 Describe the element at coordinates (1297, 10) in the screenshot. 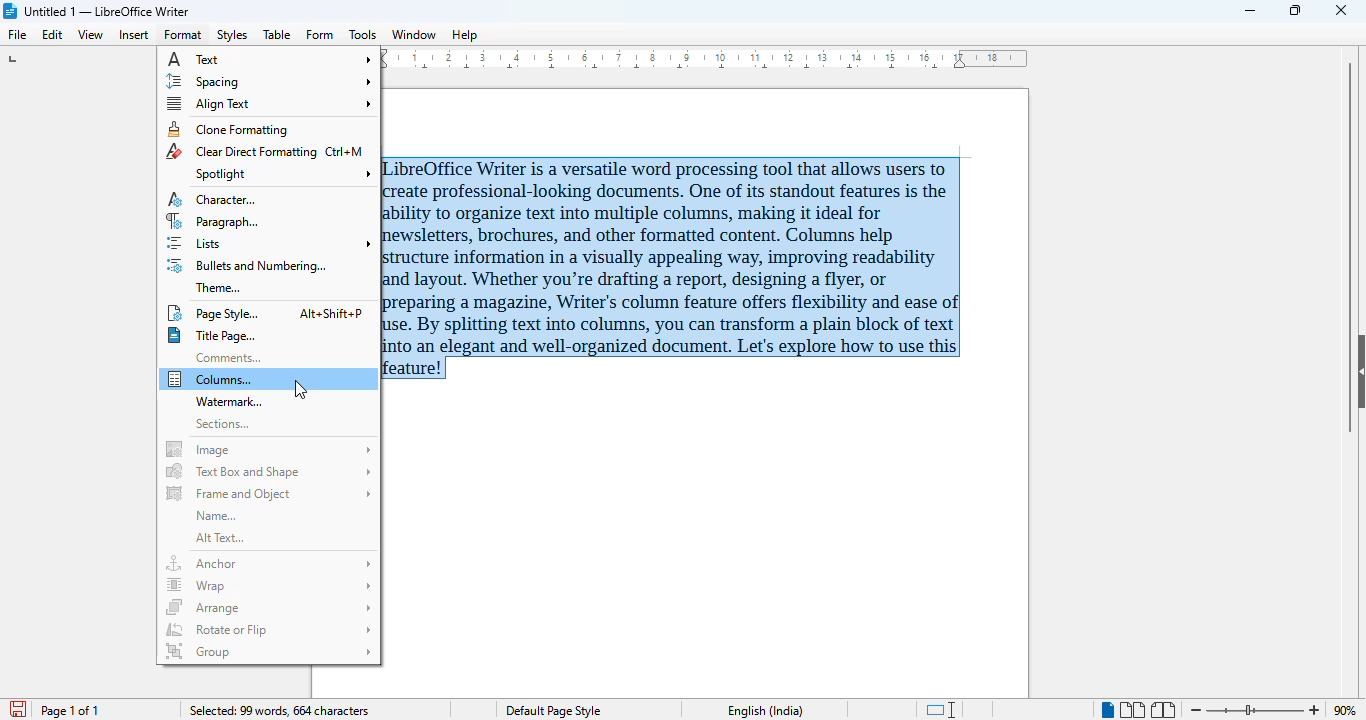

I see `maximize` at that location.